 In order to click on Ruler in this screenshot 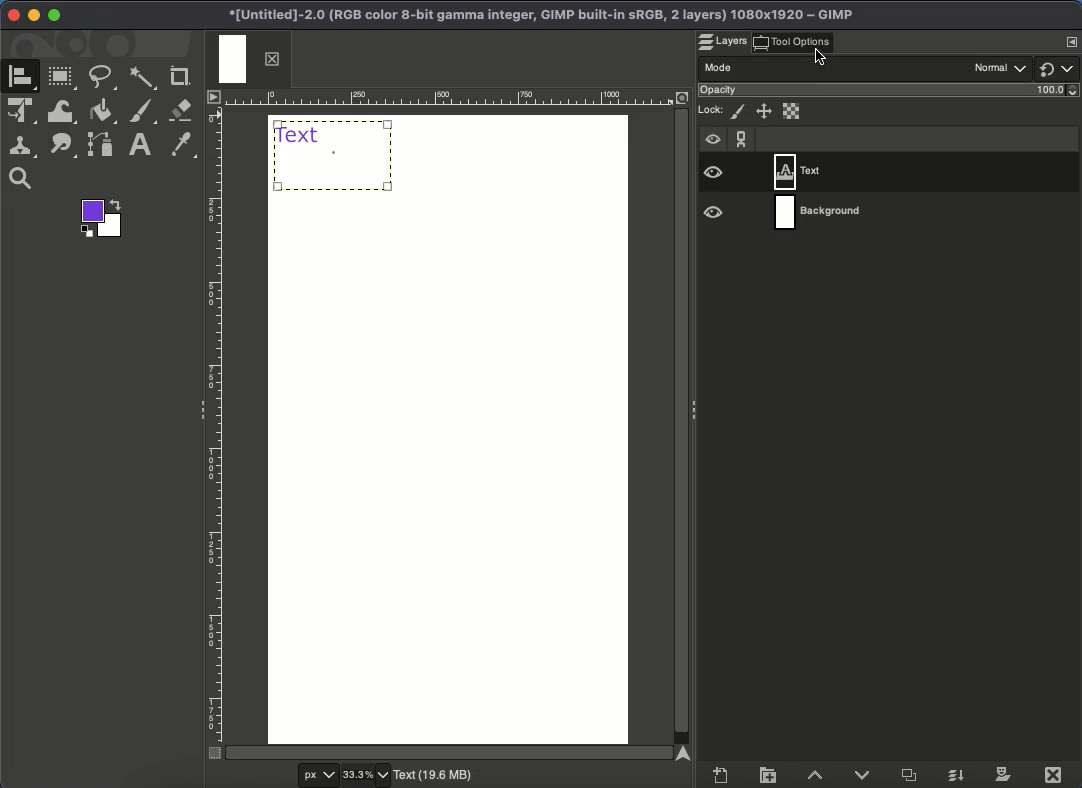, I will do `click(466, 98)`.